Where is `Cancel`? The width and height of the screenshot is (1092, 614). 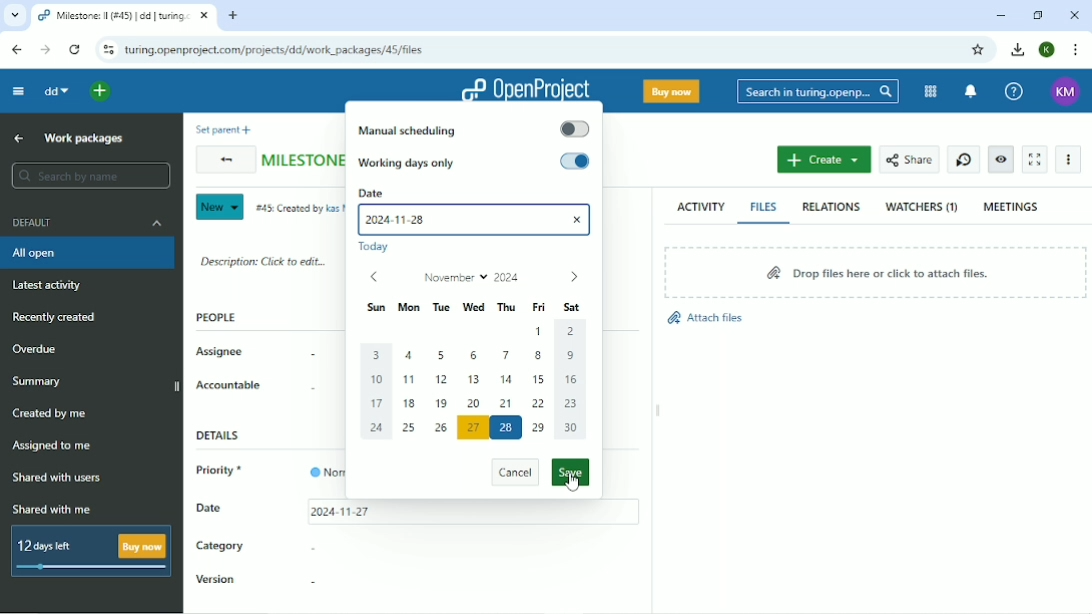
Cancel is located at coordinates (514, 474).